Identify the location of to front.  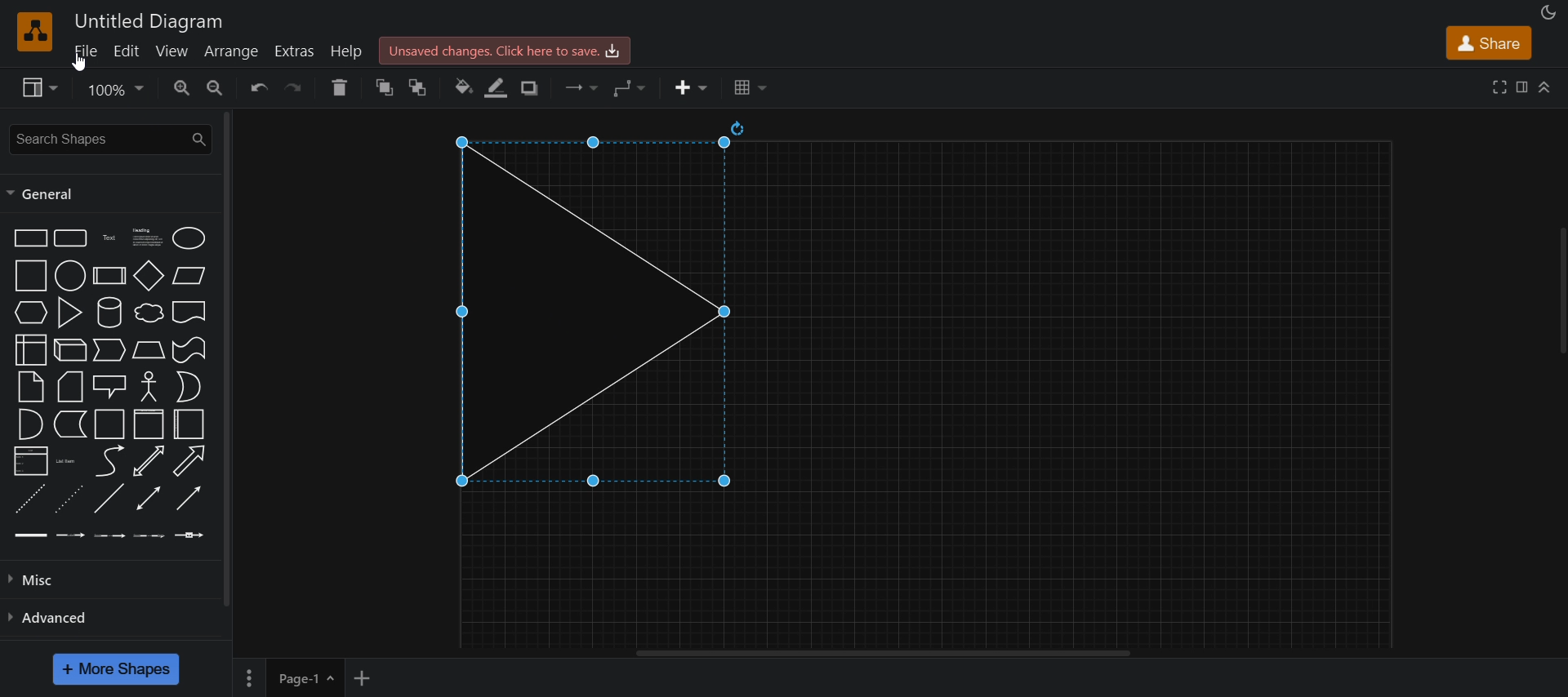
(381, 86).